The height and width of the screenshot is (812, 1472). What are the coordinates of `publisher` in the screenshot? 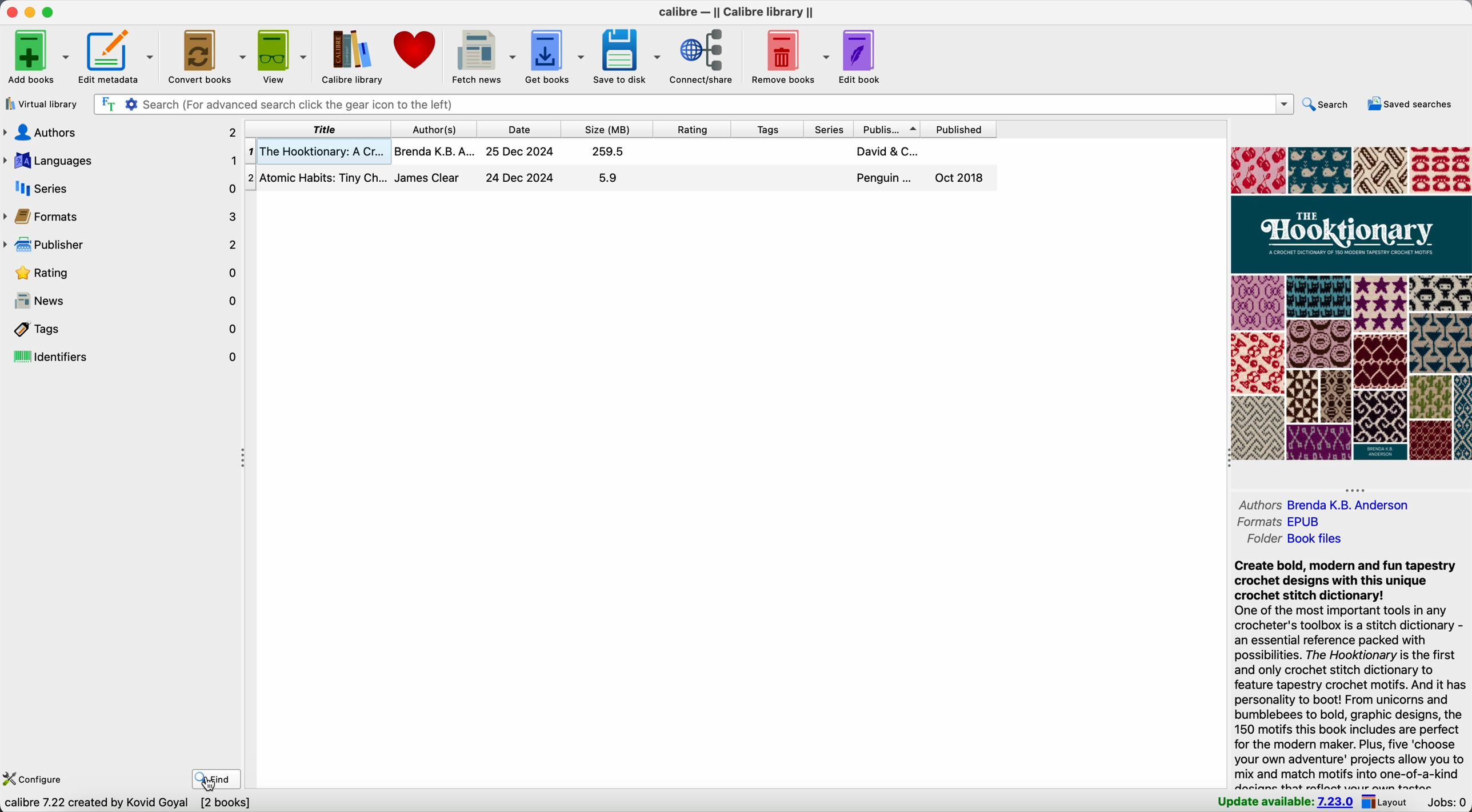 It's located at (889, 130).